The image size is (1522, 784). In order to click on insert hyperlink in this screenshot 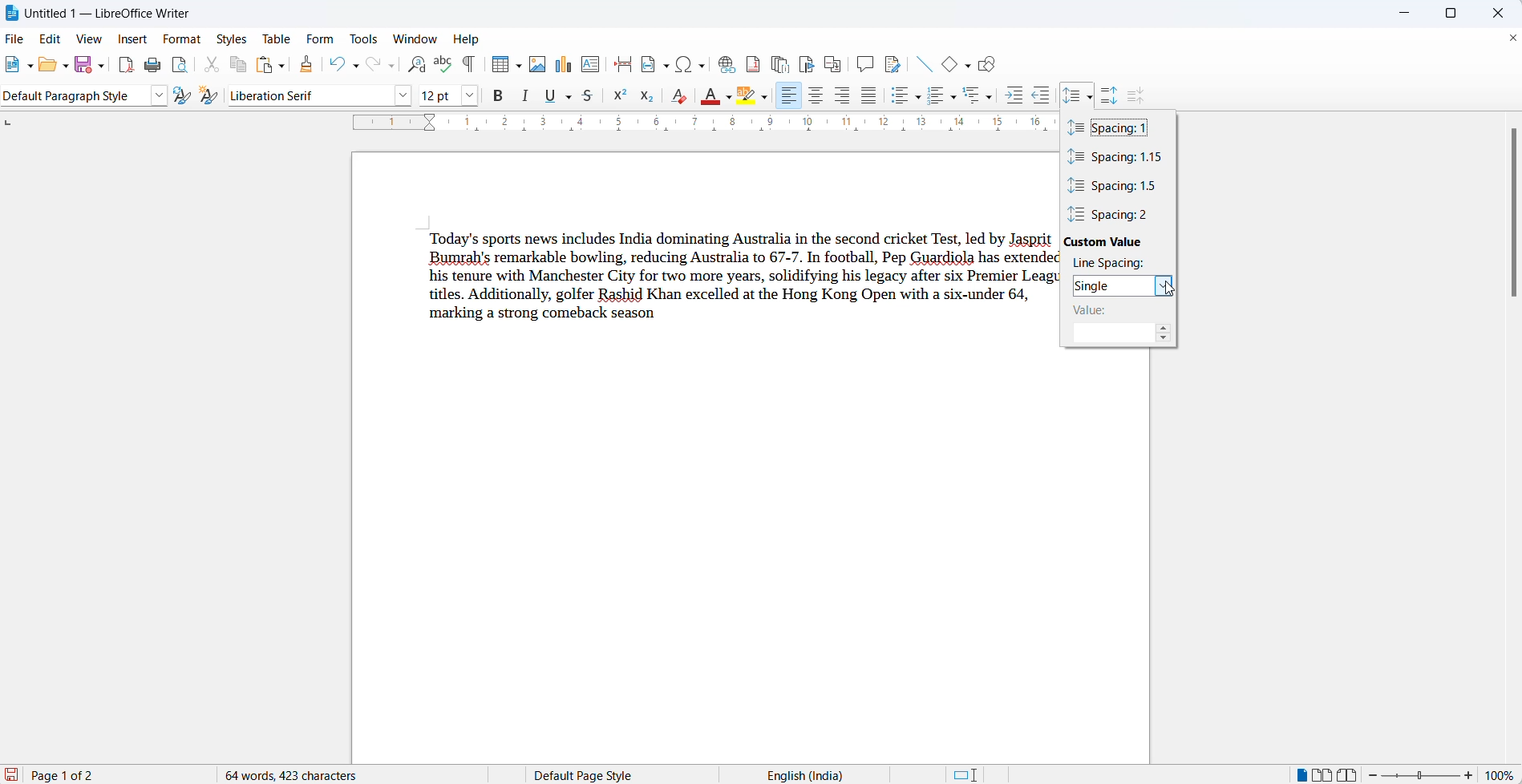, I will do `click(723, 63)`.